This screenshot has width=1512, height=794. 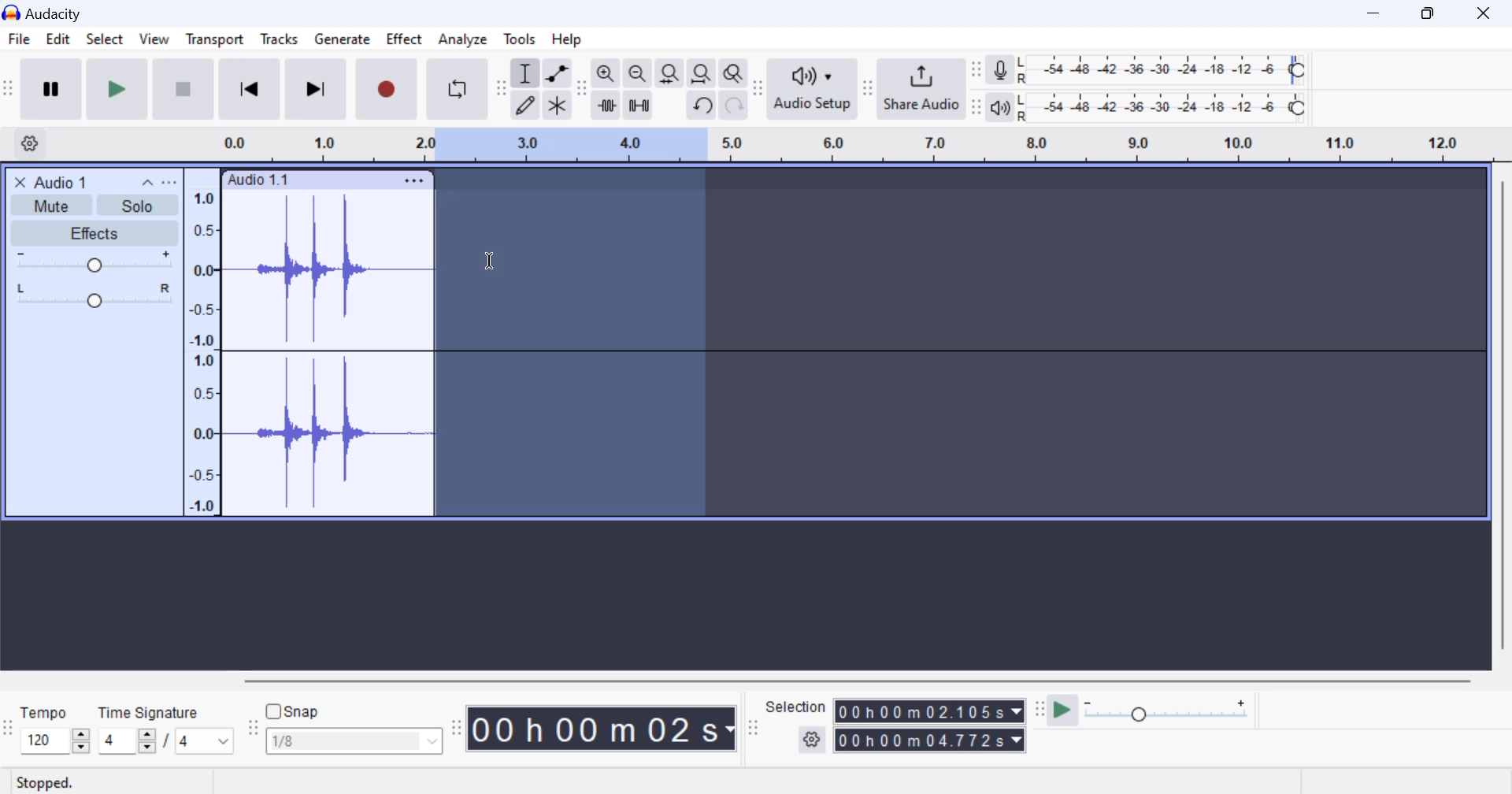 What do you see at coordinates (458, 89) in the screenshot?
I see `Enable Looping` at bounding box center [458, 89].